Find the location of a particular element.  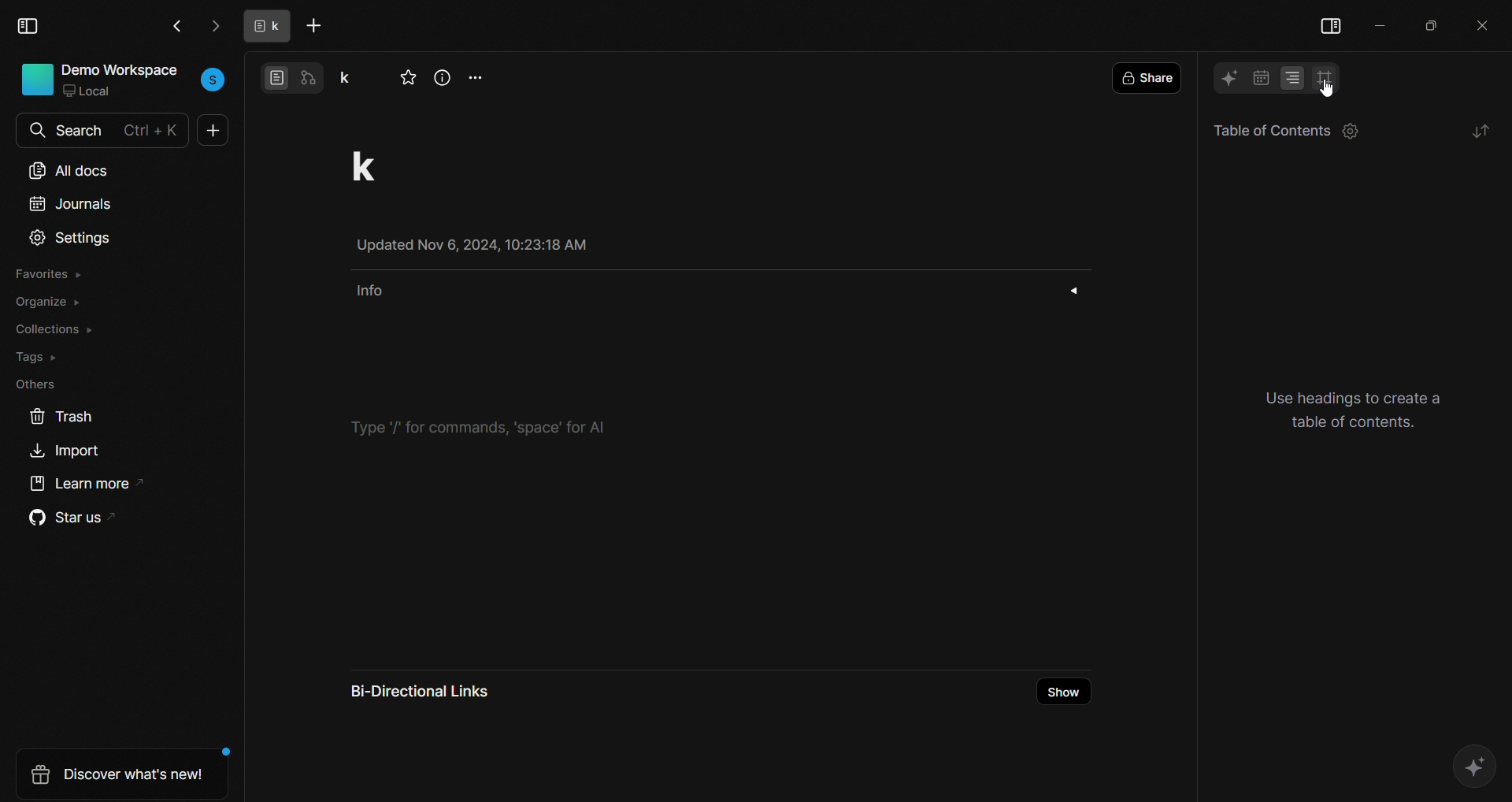

trash is located at coordinates (60, 414).